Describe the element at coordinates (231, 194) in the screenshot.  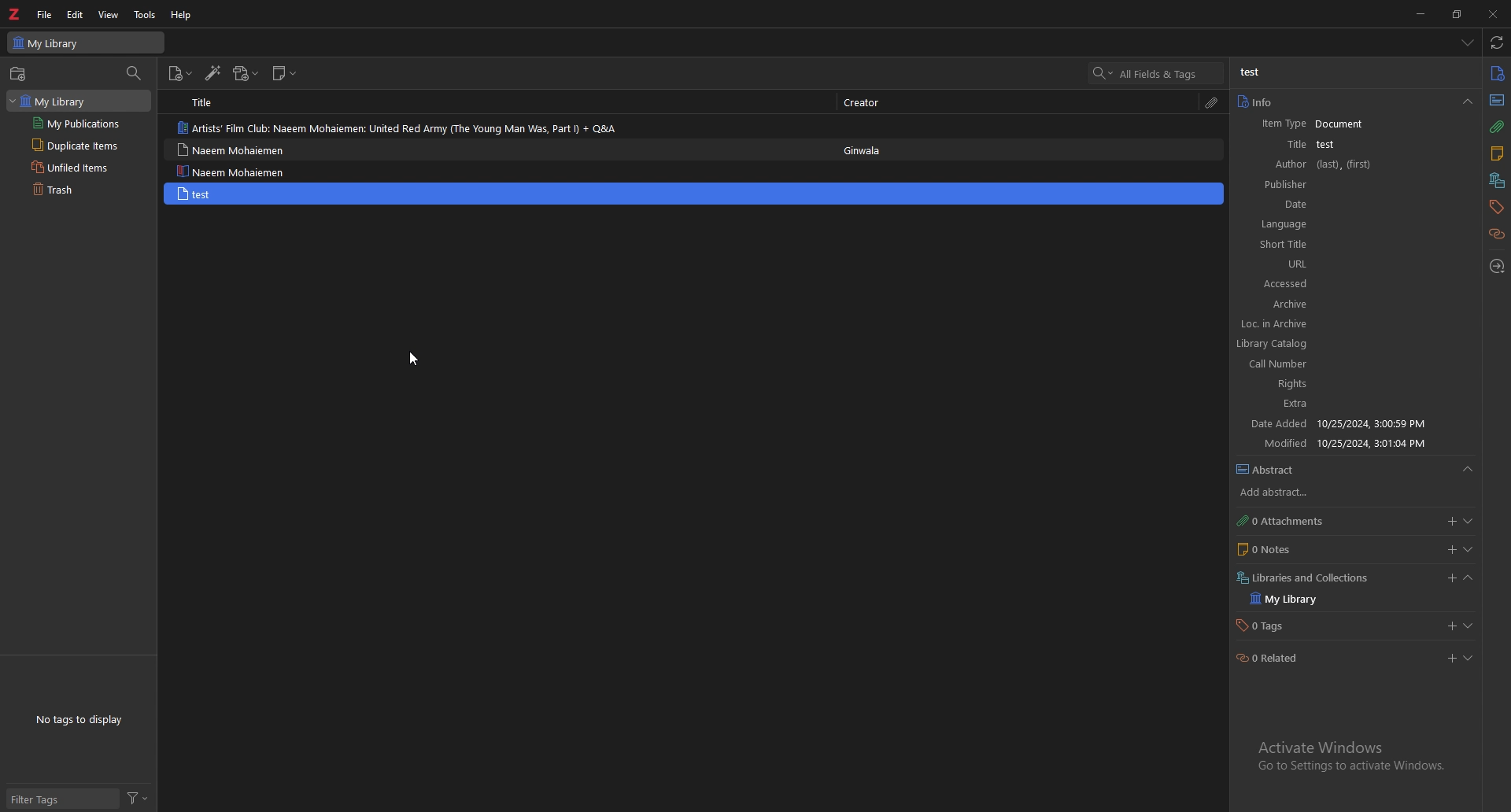
I see `Naeem Mohaiemen` at that location.